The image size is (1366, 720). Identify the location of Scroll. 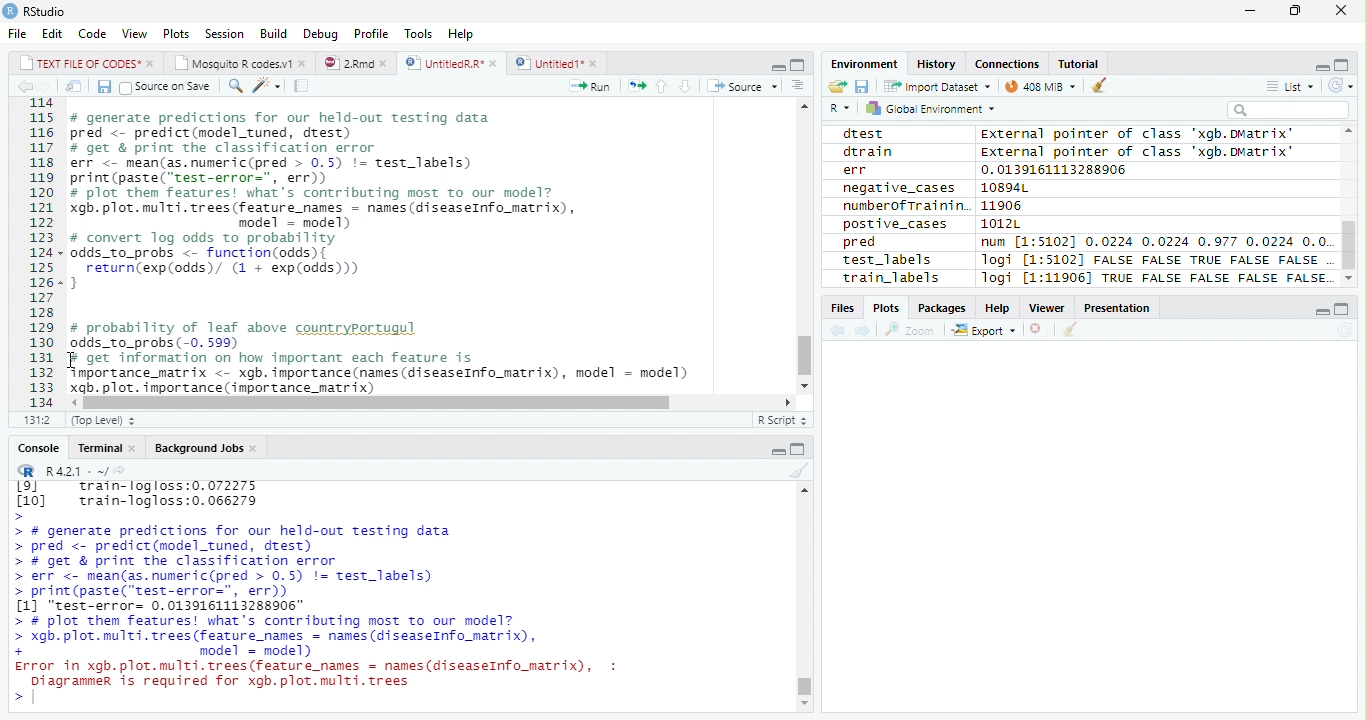
(1349, 207).